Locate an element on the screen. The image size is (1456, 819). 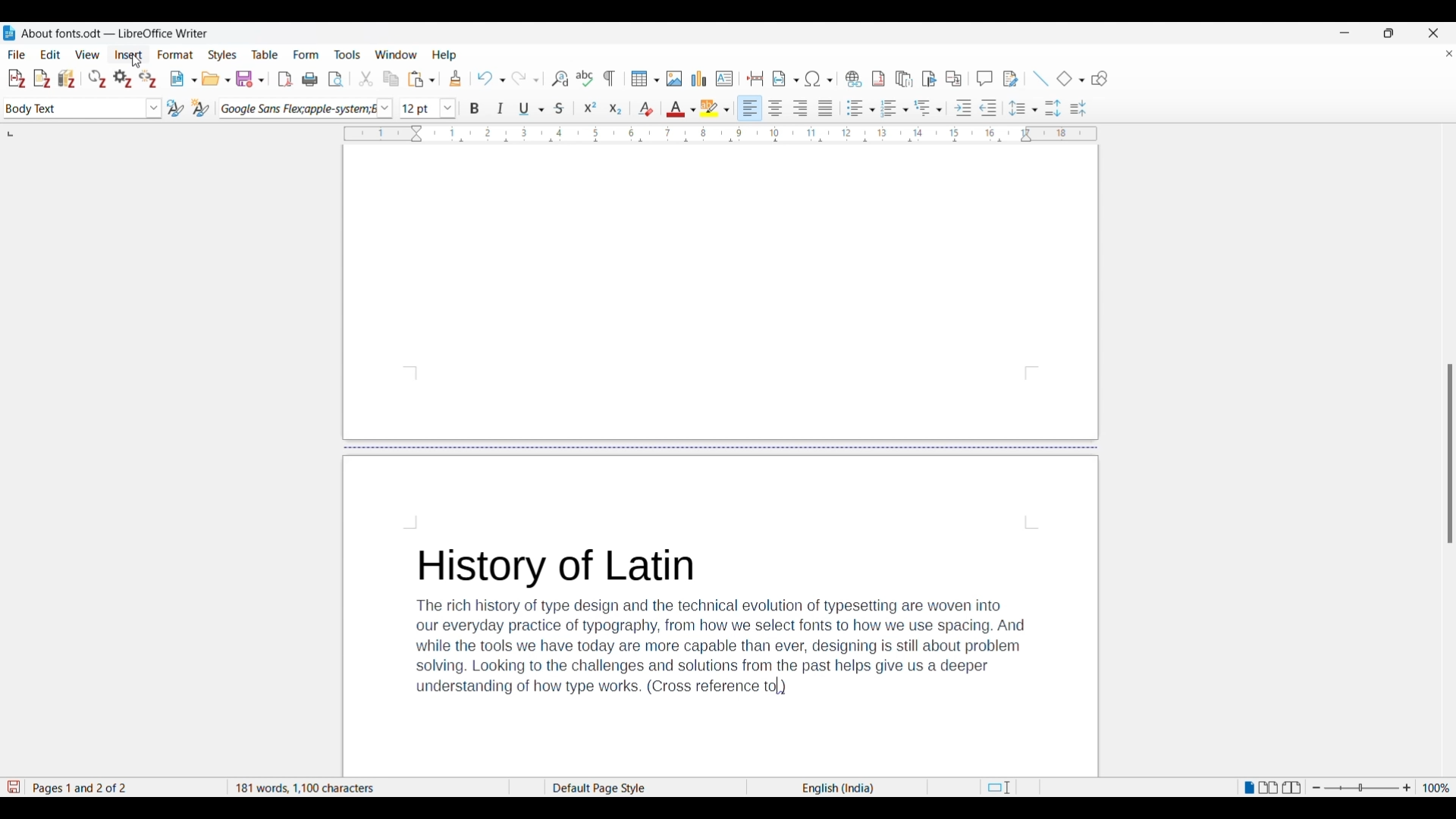
181 words, 1100 characters is located at coordinates (369, 787).